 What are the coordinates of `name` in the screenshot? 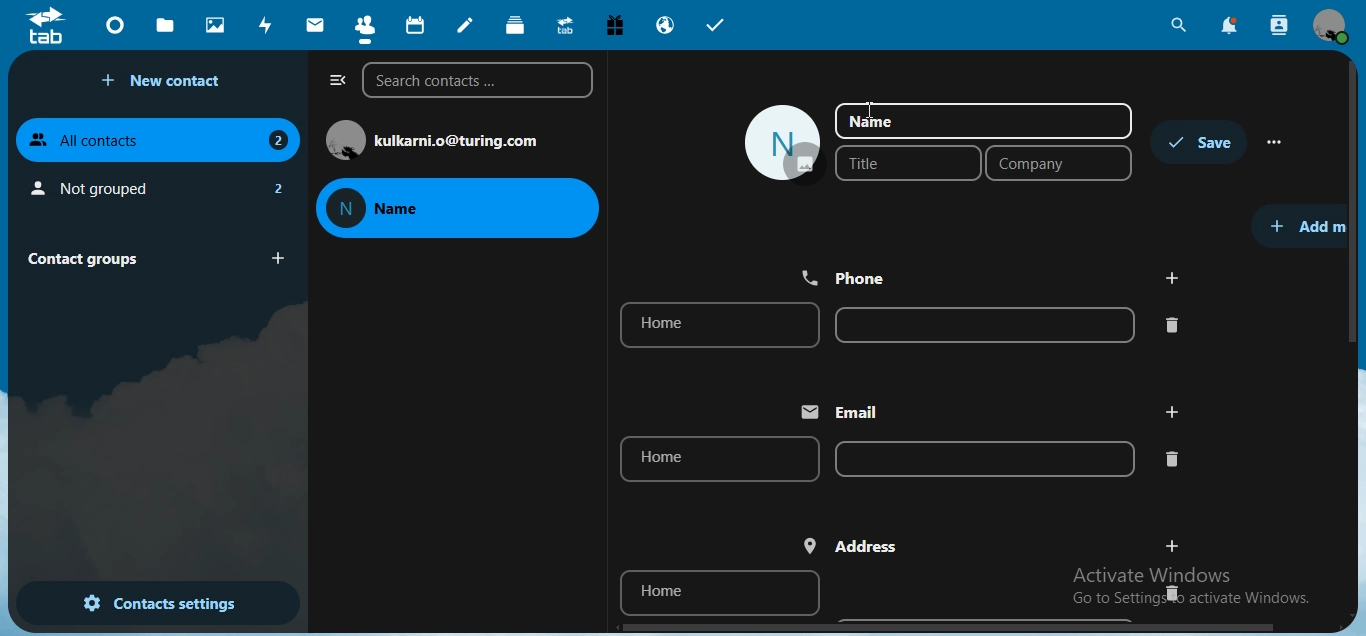 It's located at (983, 121).